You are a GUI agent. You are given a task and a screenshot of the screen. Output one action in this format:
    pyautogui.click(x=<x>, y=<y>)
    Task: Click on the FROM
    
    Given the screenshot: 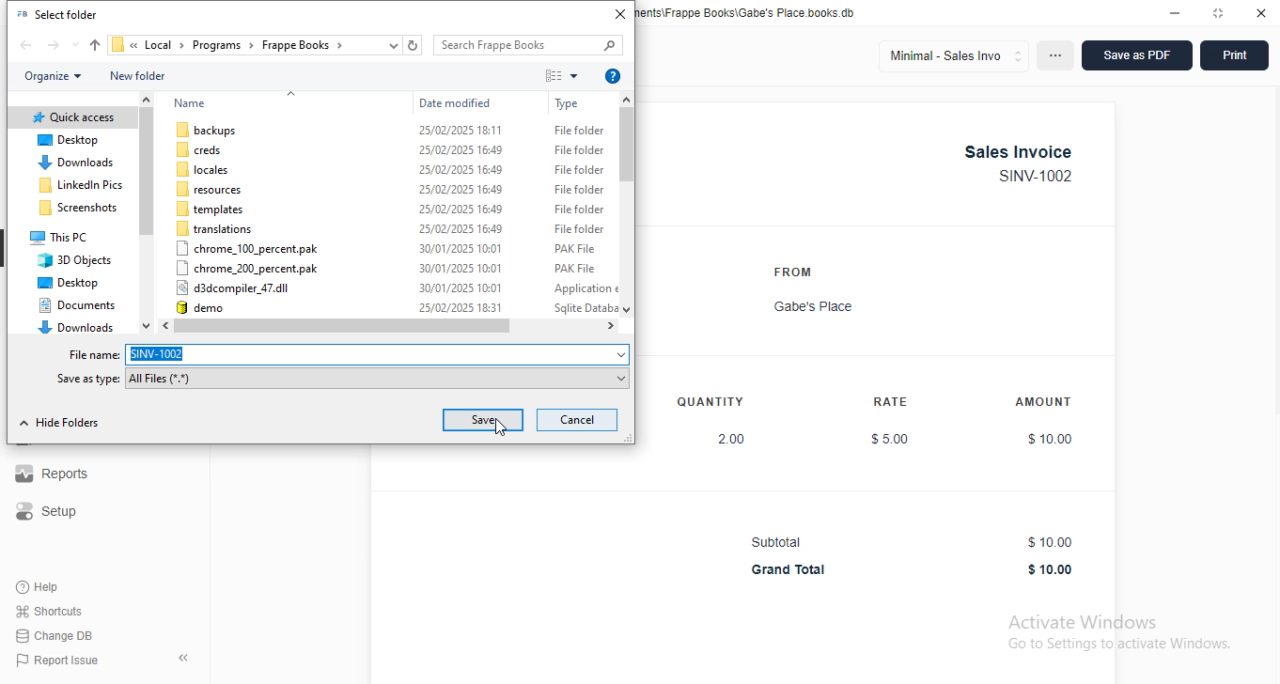 What is the action you would take?
    pyautogui.click(x=795, y=272)
    